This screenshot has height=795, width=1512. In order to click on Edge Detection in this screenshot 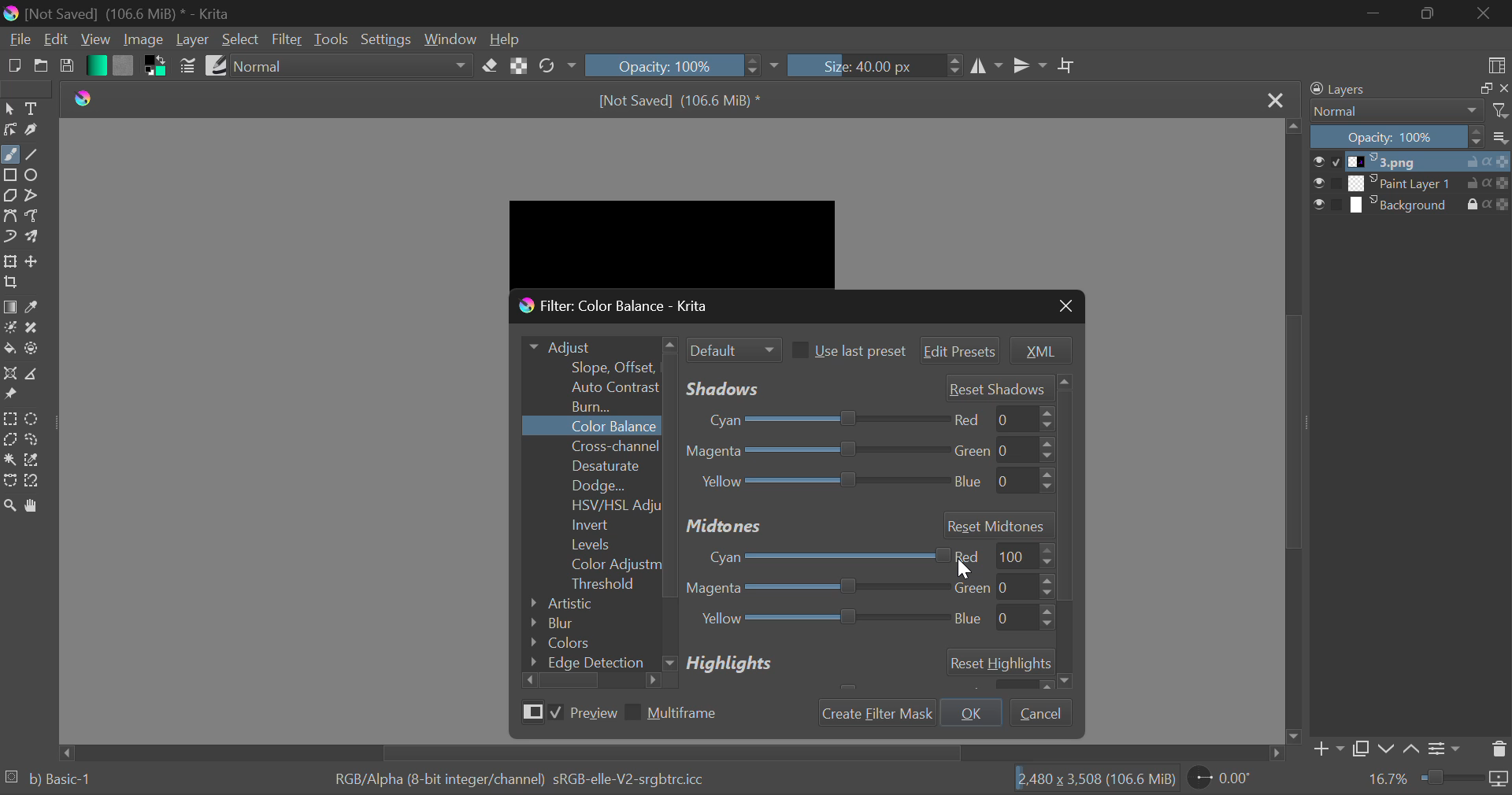, I will do `click(591, 660)`.